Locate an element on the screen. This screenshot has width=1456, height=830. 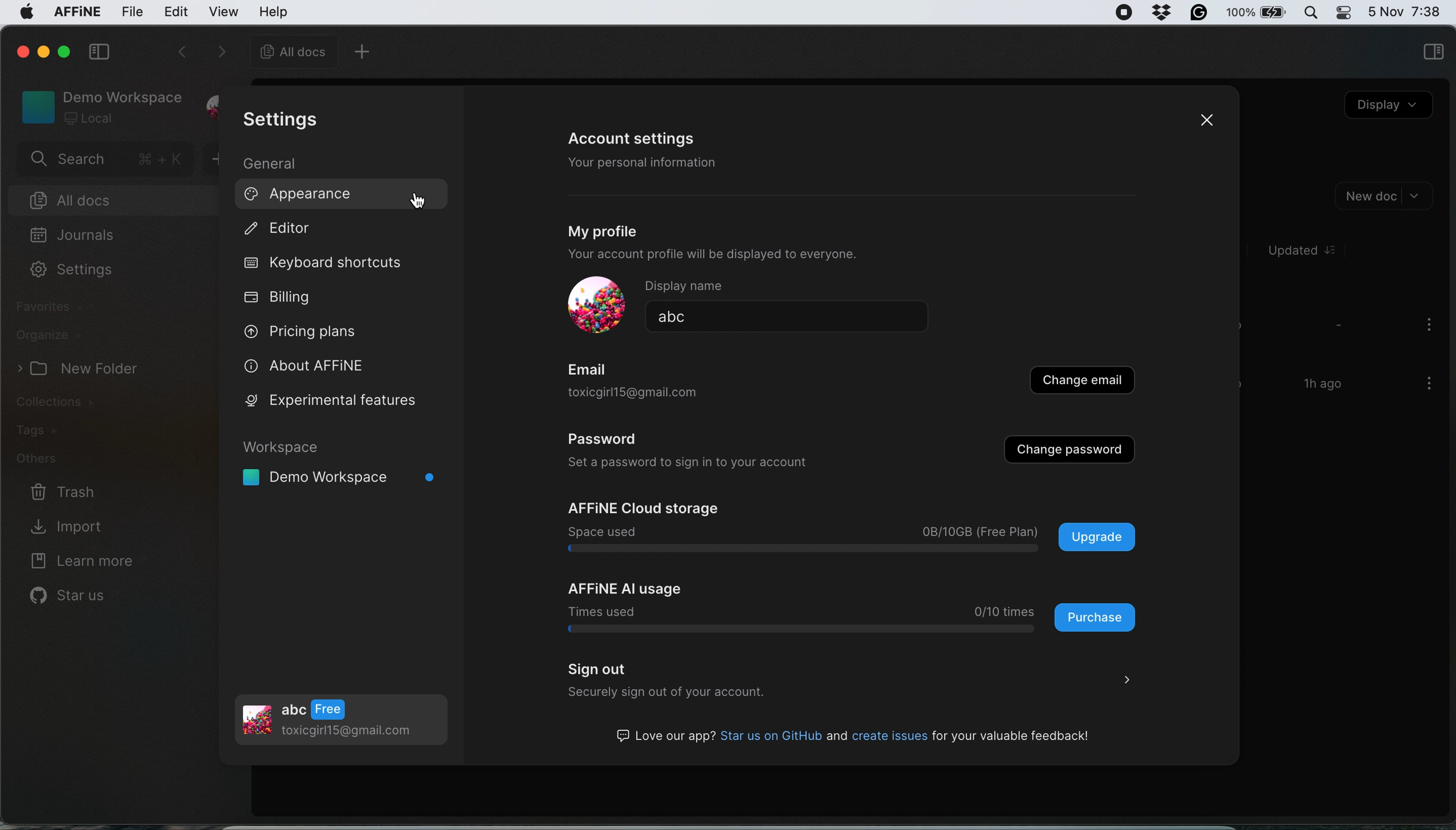
collections is located at coordinates (71, 401).